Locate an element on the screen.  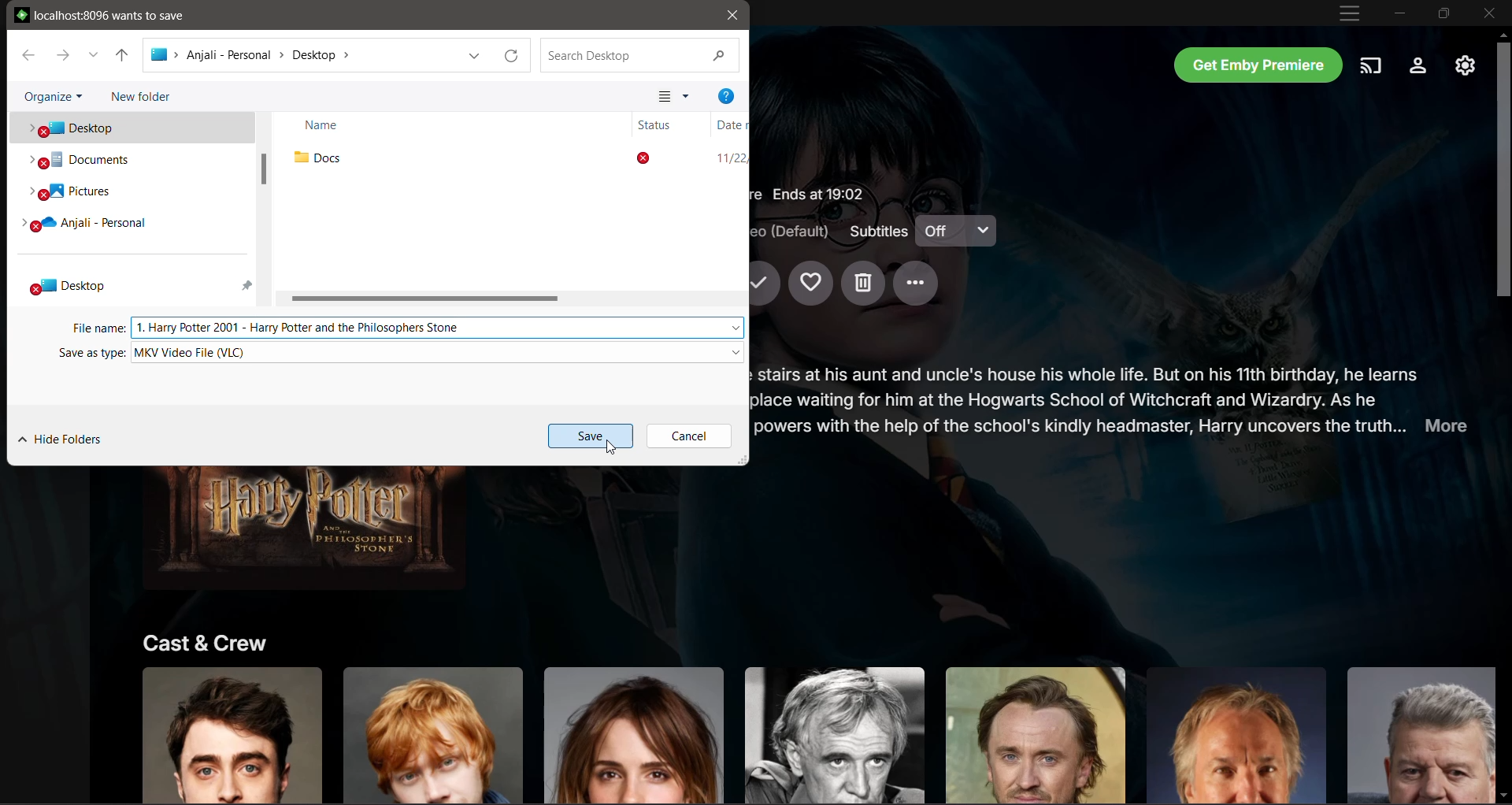
Help is located at coordinates (725, 96).